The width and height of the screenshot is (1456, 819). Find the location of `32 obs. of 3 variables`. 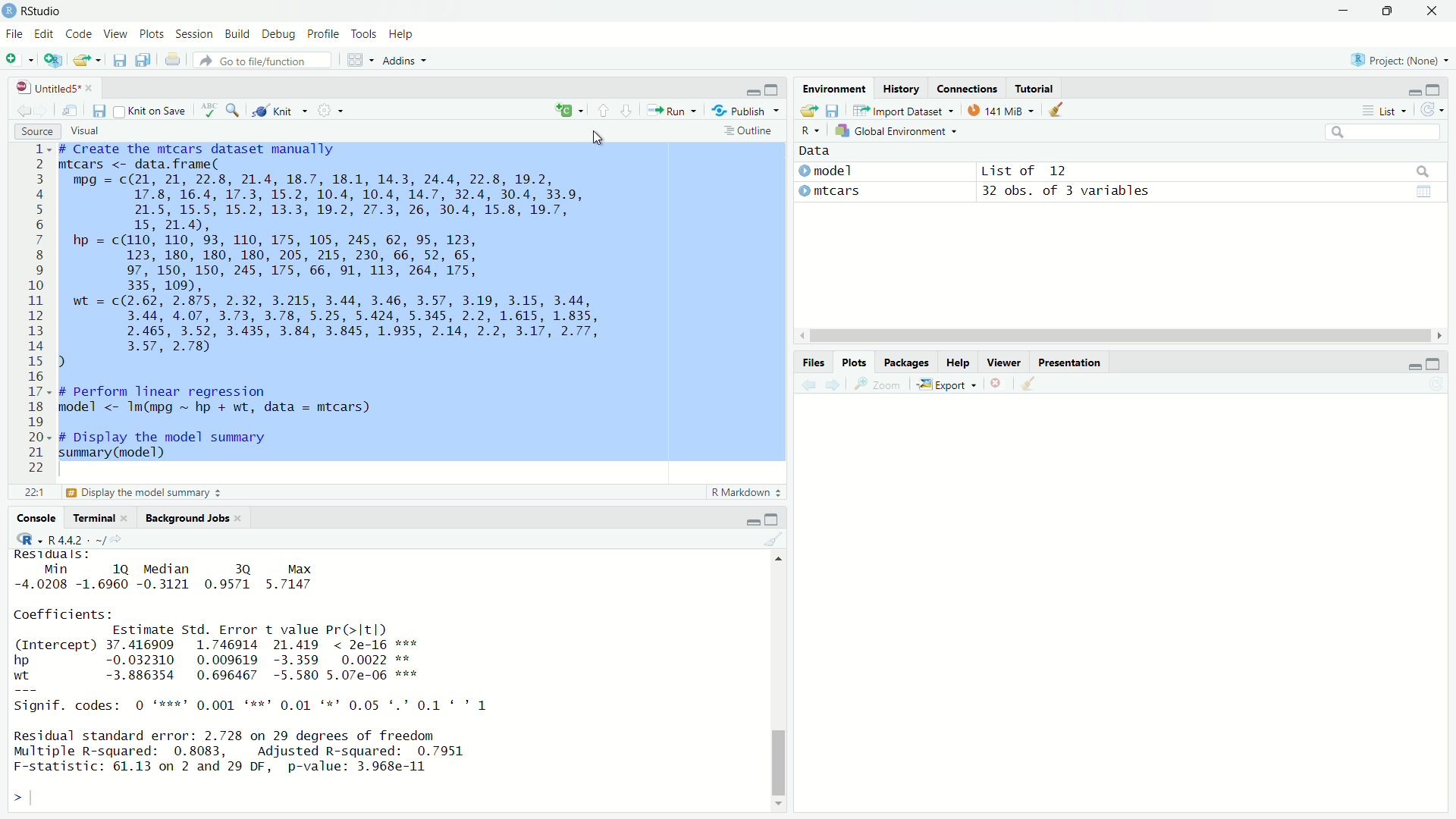

32 obs. of 3 variables is located at coordinates (1063, 191).